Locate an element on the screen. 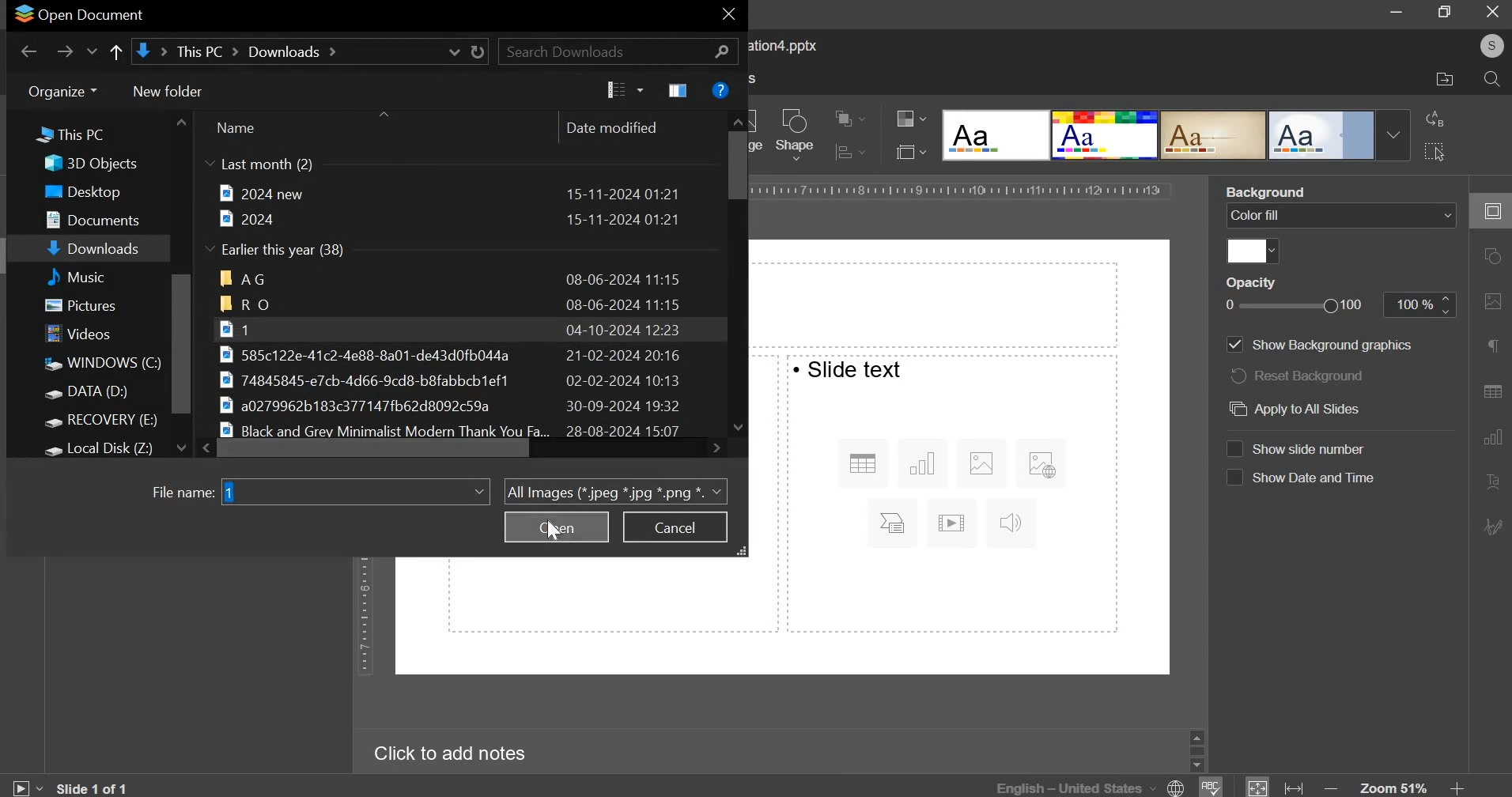  shape setting is located at coordinates (1494, 258).